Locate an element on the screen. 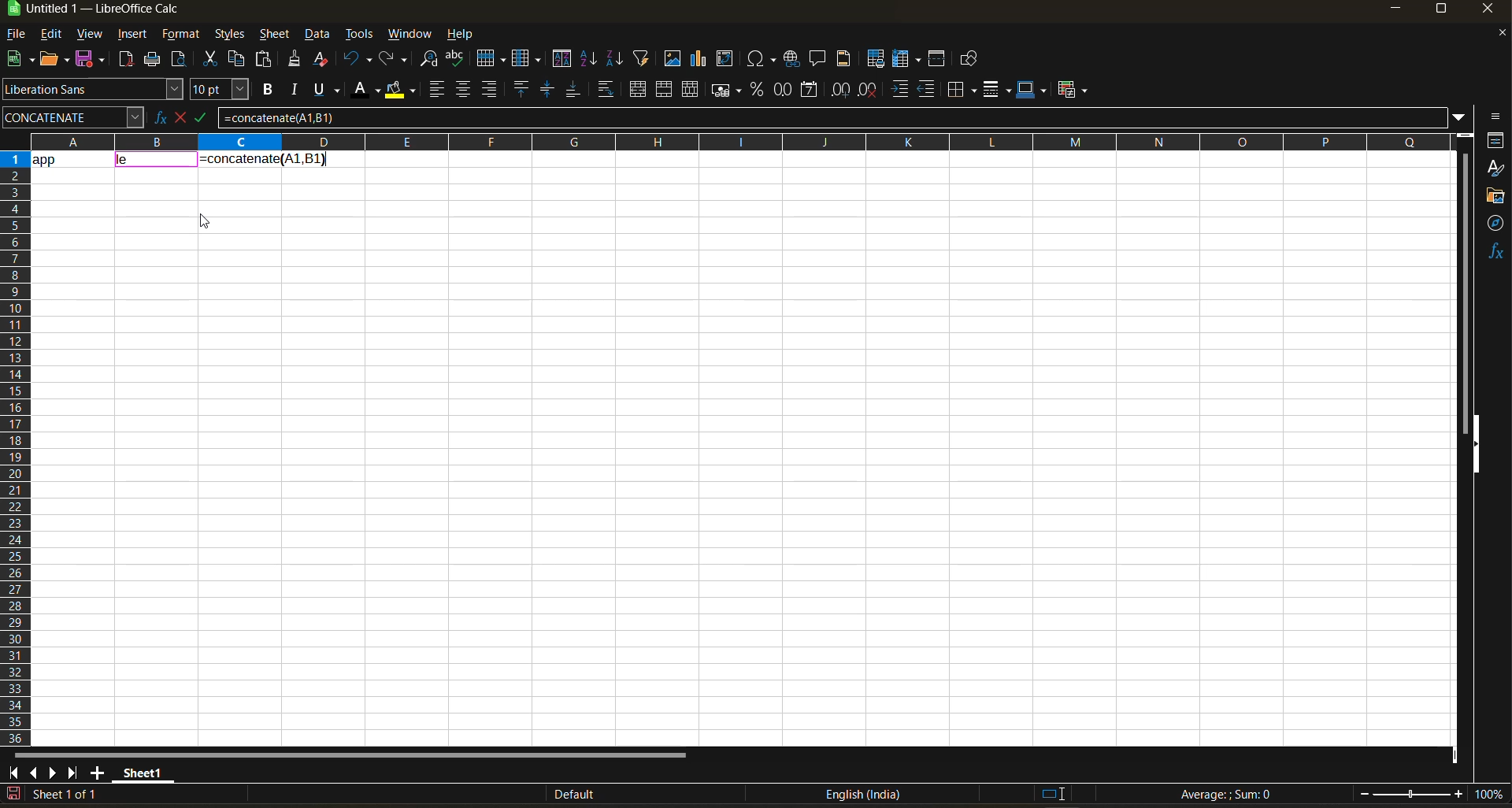 This screenshot has width=1512, height=808. formula is located at coordinates (207, 120).